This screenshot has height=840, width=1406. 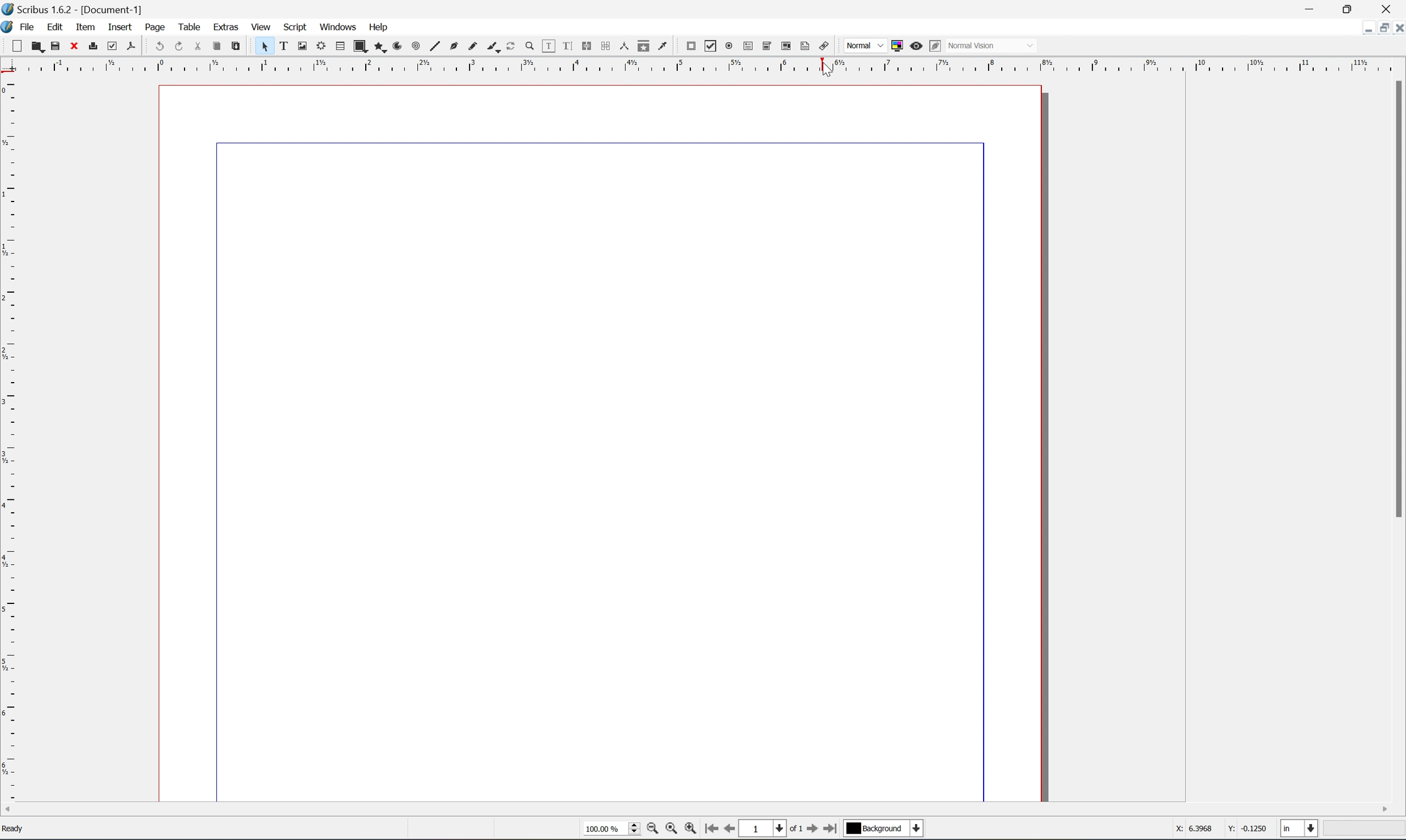 I want to click on scroll bar, so click(x=1397, y=298).